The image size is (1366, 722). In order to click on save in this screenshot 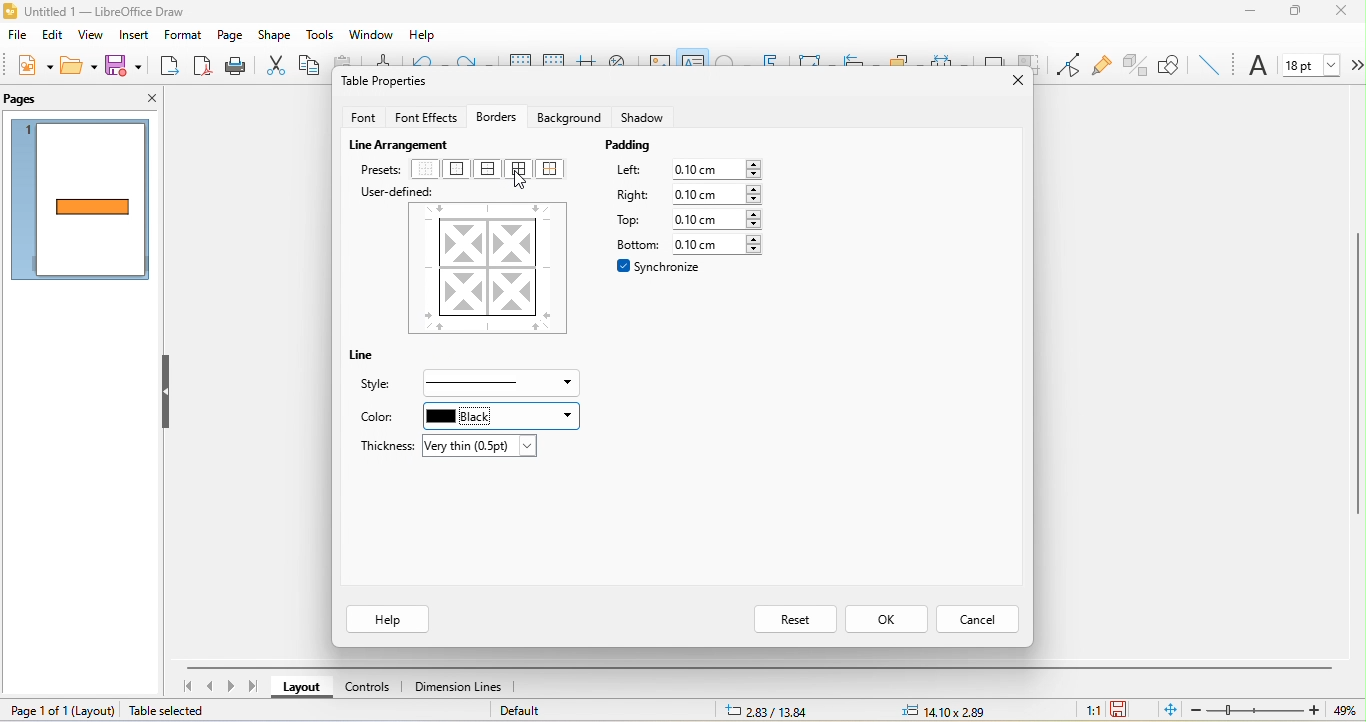, I will do `click(123, 65)`.